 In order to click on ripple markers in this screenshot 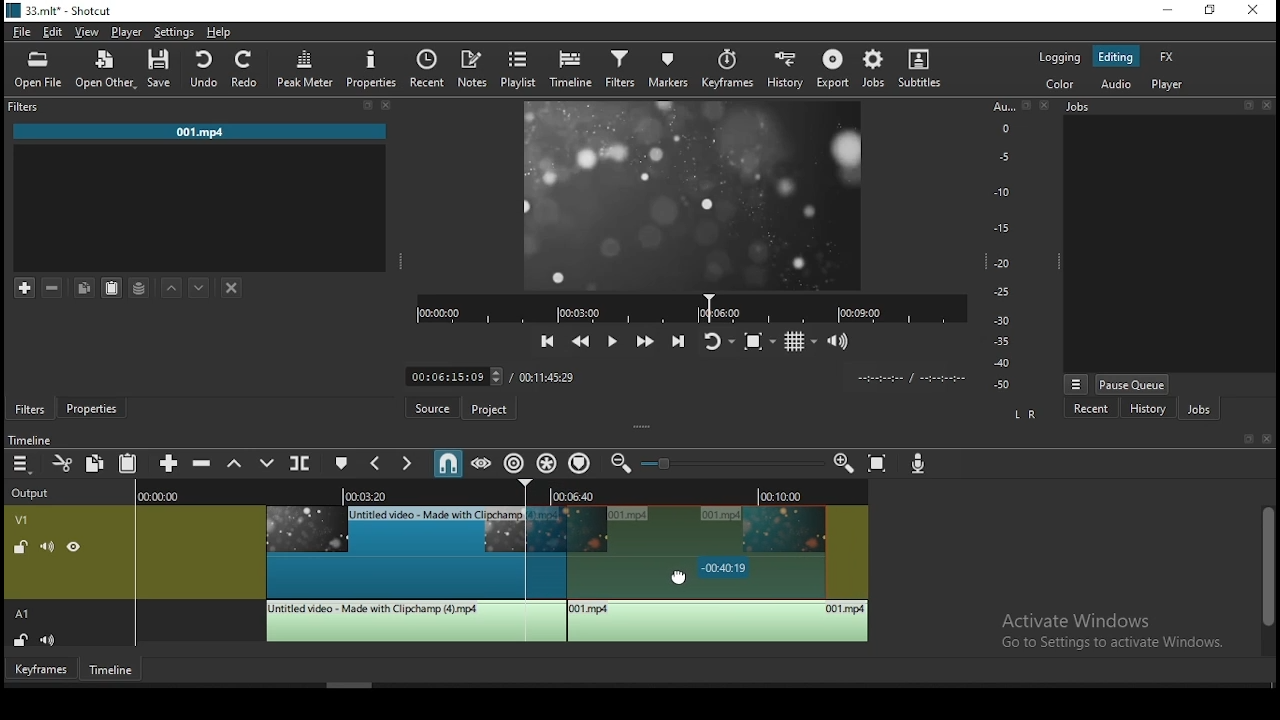, I will do `click(580, 465)`.